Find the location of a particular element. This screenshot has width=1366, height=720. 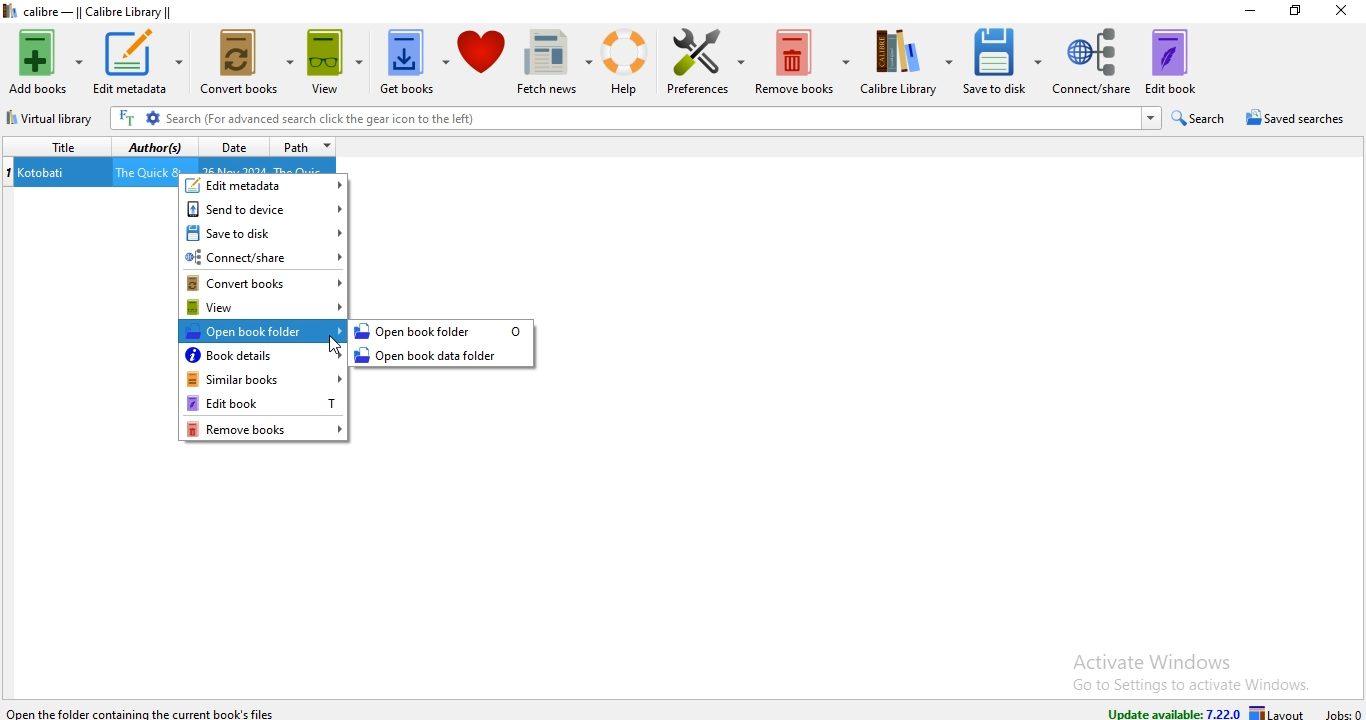

open book folder is located at coordinates (262, 330).